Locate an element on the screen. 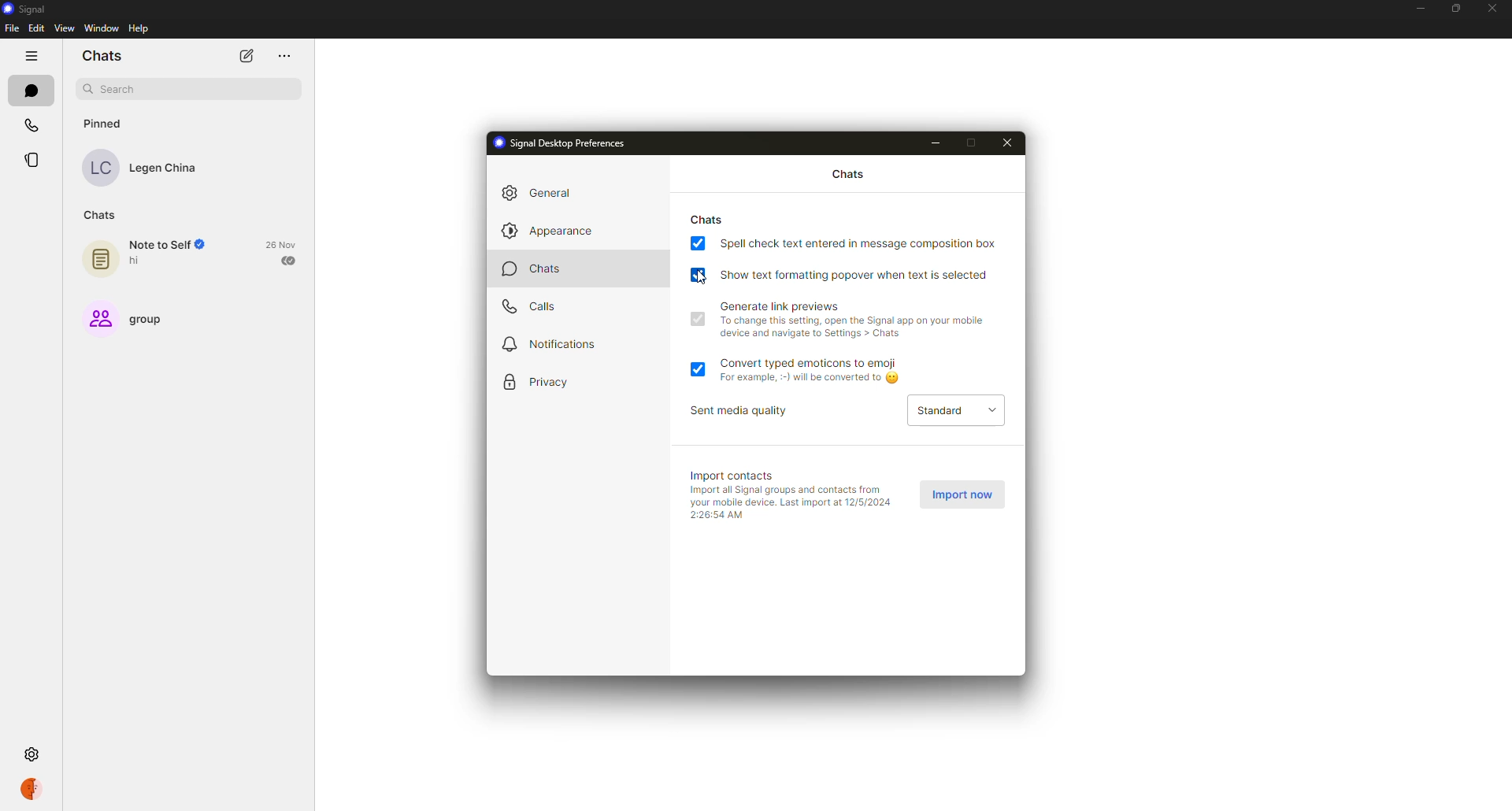  file is located at coordinates (12, 28).